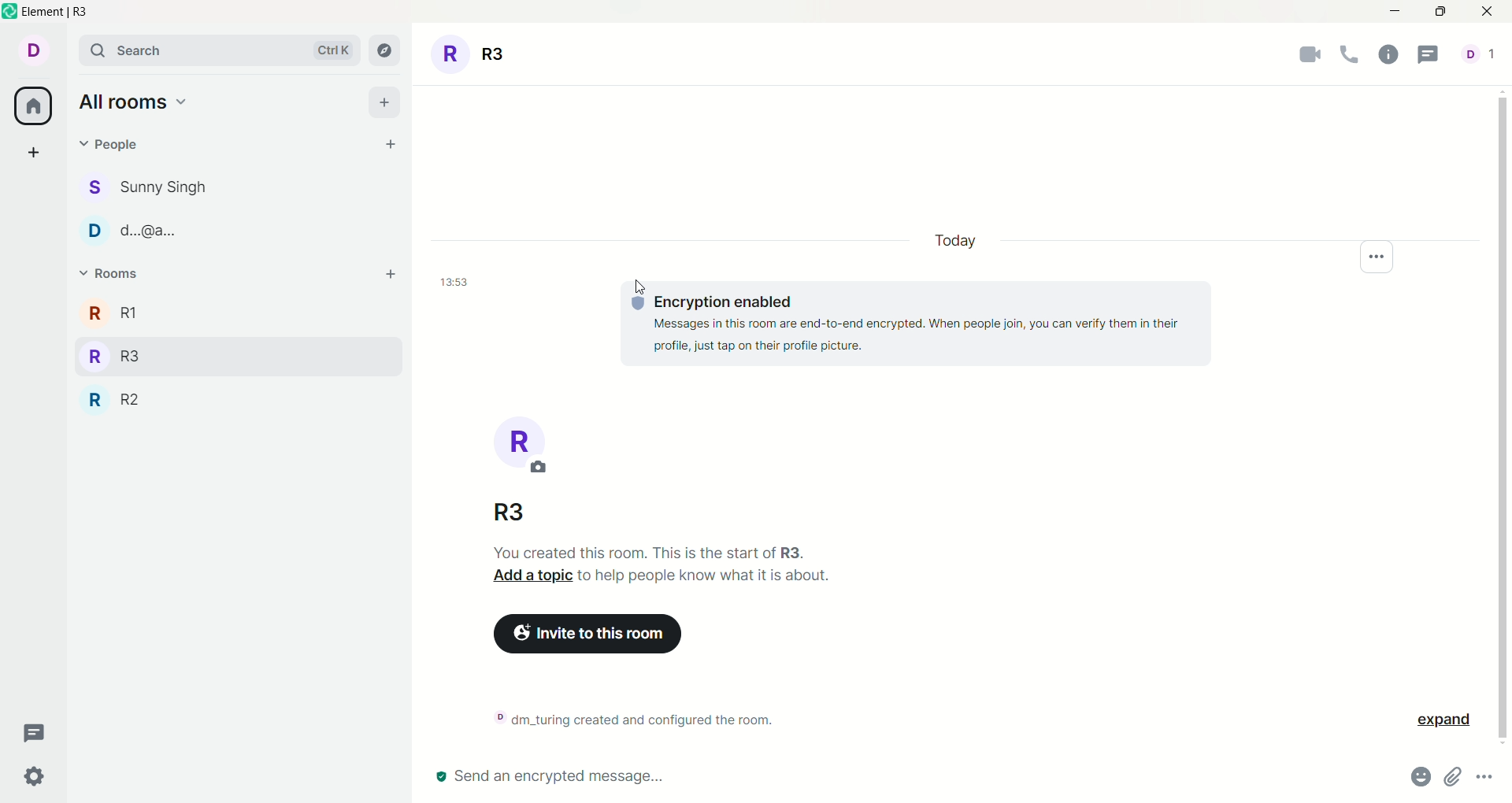 The image size is (1512, 803). Describe the element at coordinates (116, 147) in the screenshot. I see `people` at that location.